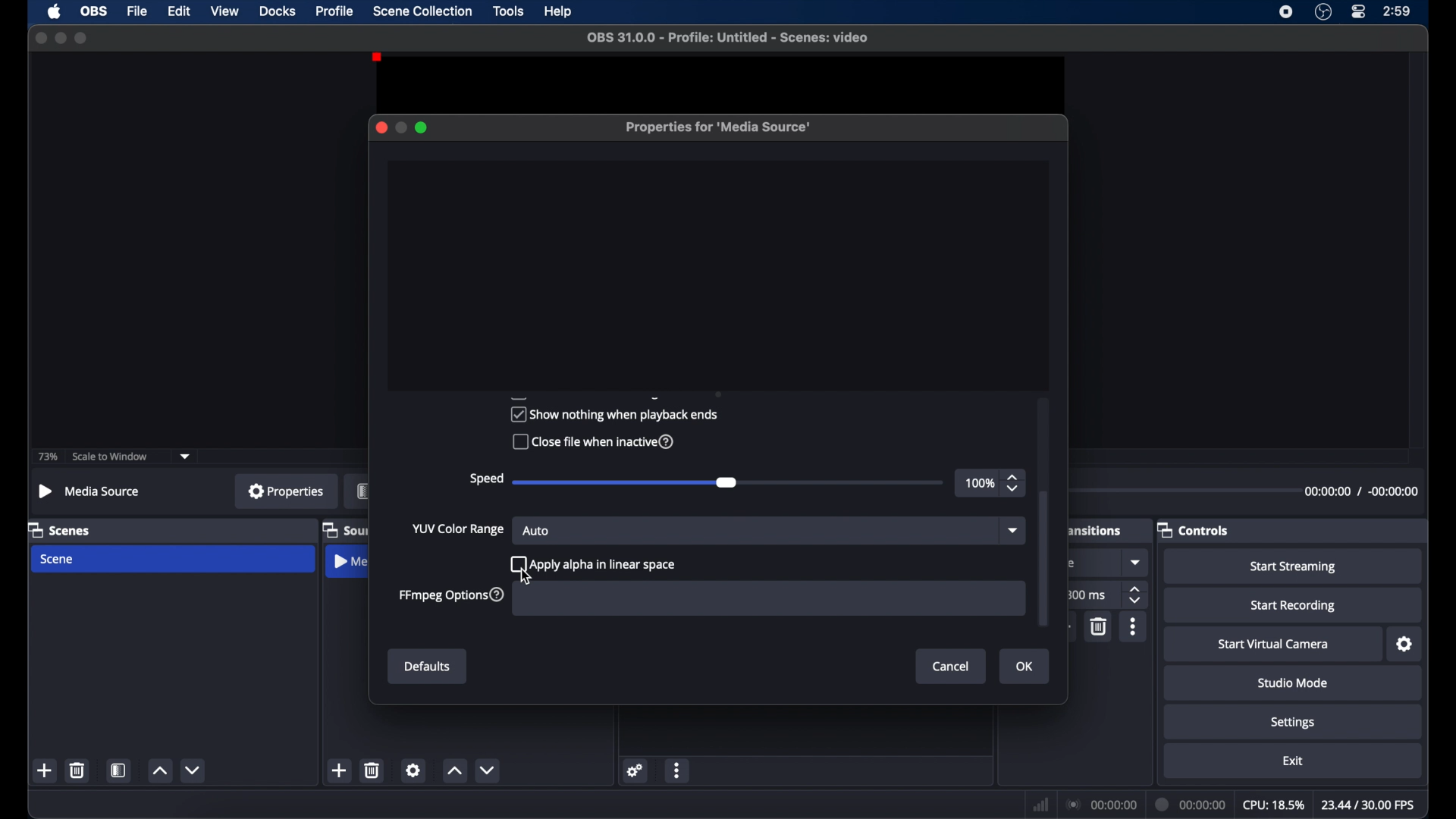  Describe the element at coordinates (536, 530) in the screenshot. I see `auto` at that location.